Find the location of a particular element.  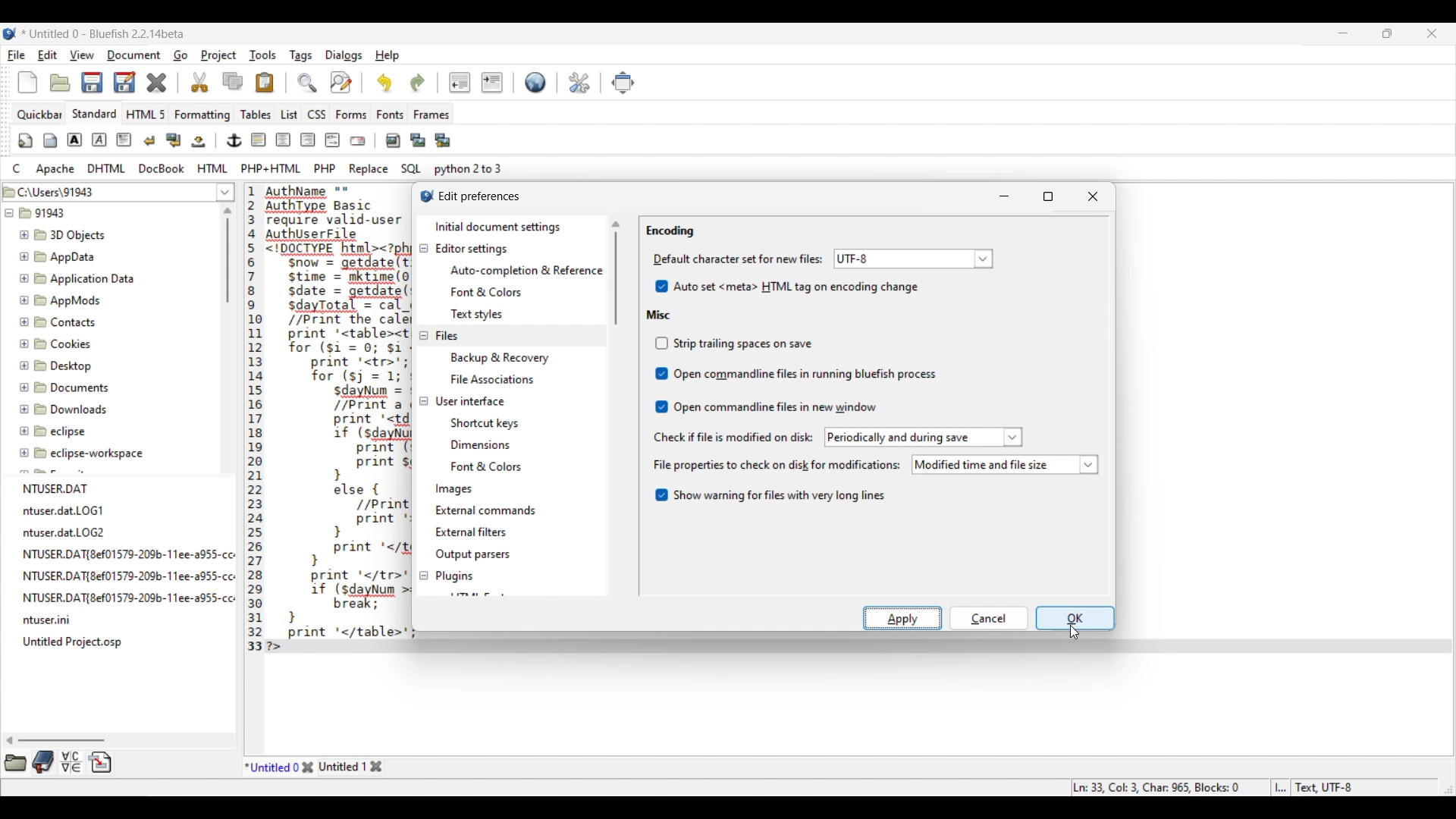

Current tab highlighted is located at coordinates (272, 766).